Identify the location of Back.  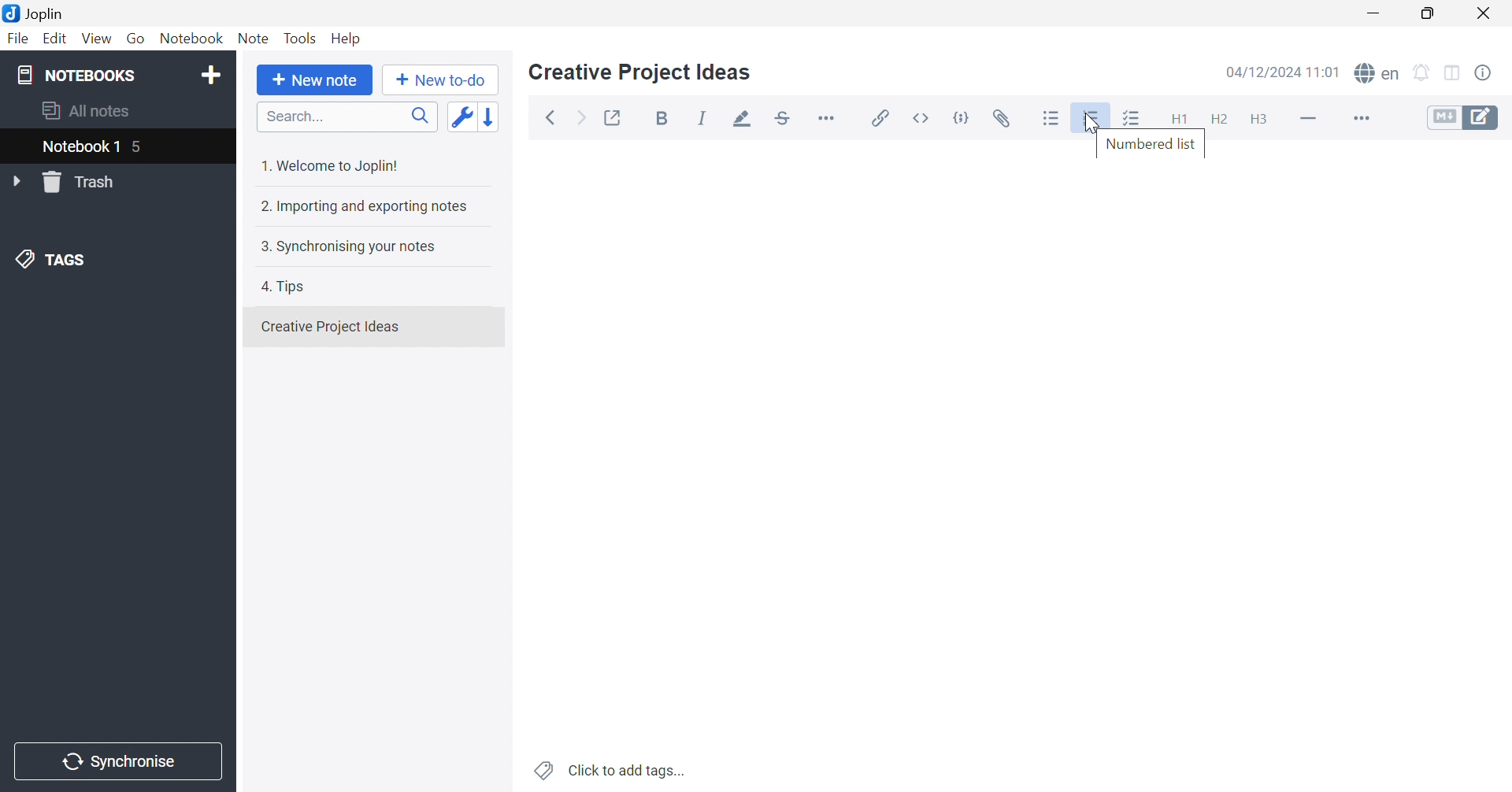
(554, 117).